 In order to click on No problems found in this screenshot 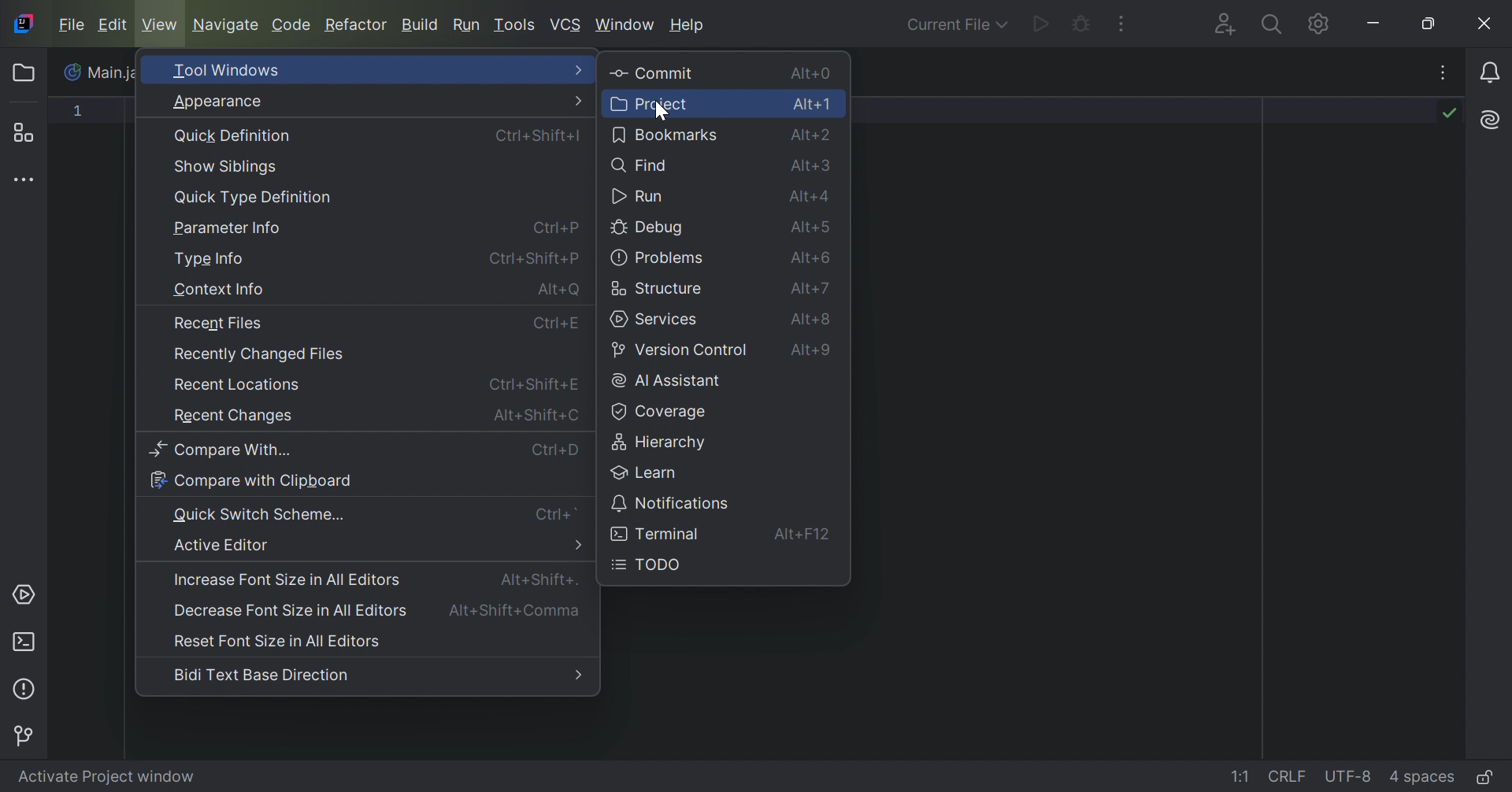, I will do `click(1447, 113)`.